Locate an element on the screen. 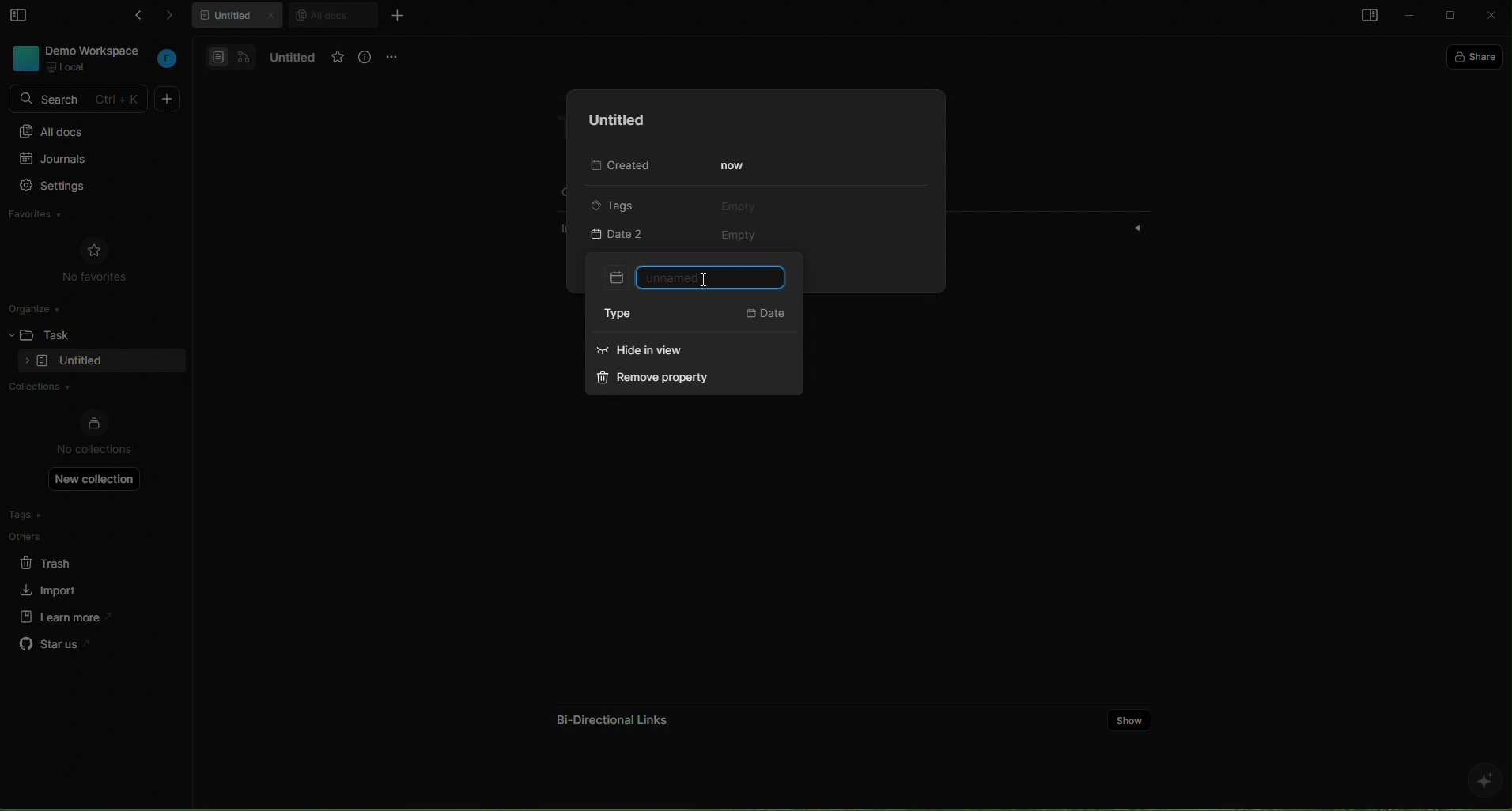 This screenshot has width=1512, height=811. empty folder is located at coordinates (81, 362).